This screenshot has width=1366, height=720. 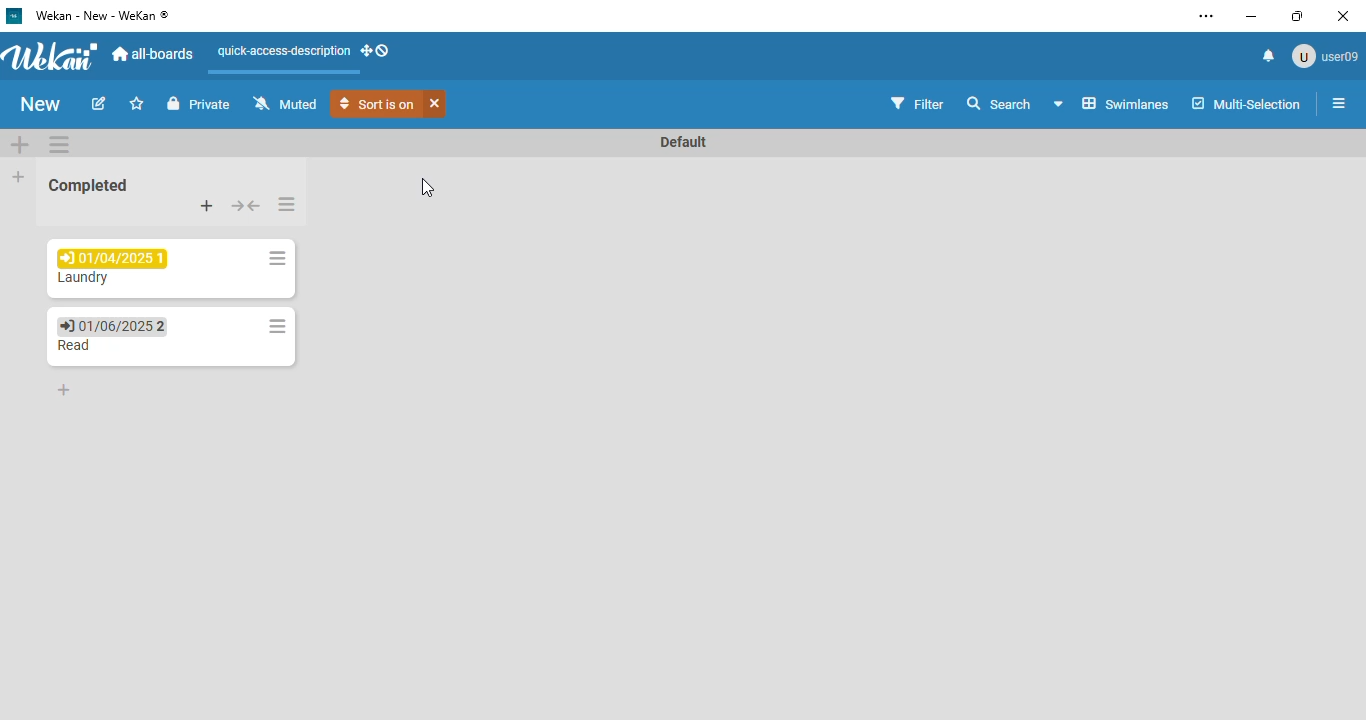 I want to click on remove sort, so click(x=435, y=103).